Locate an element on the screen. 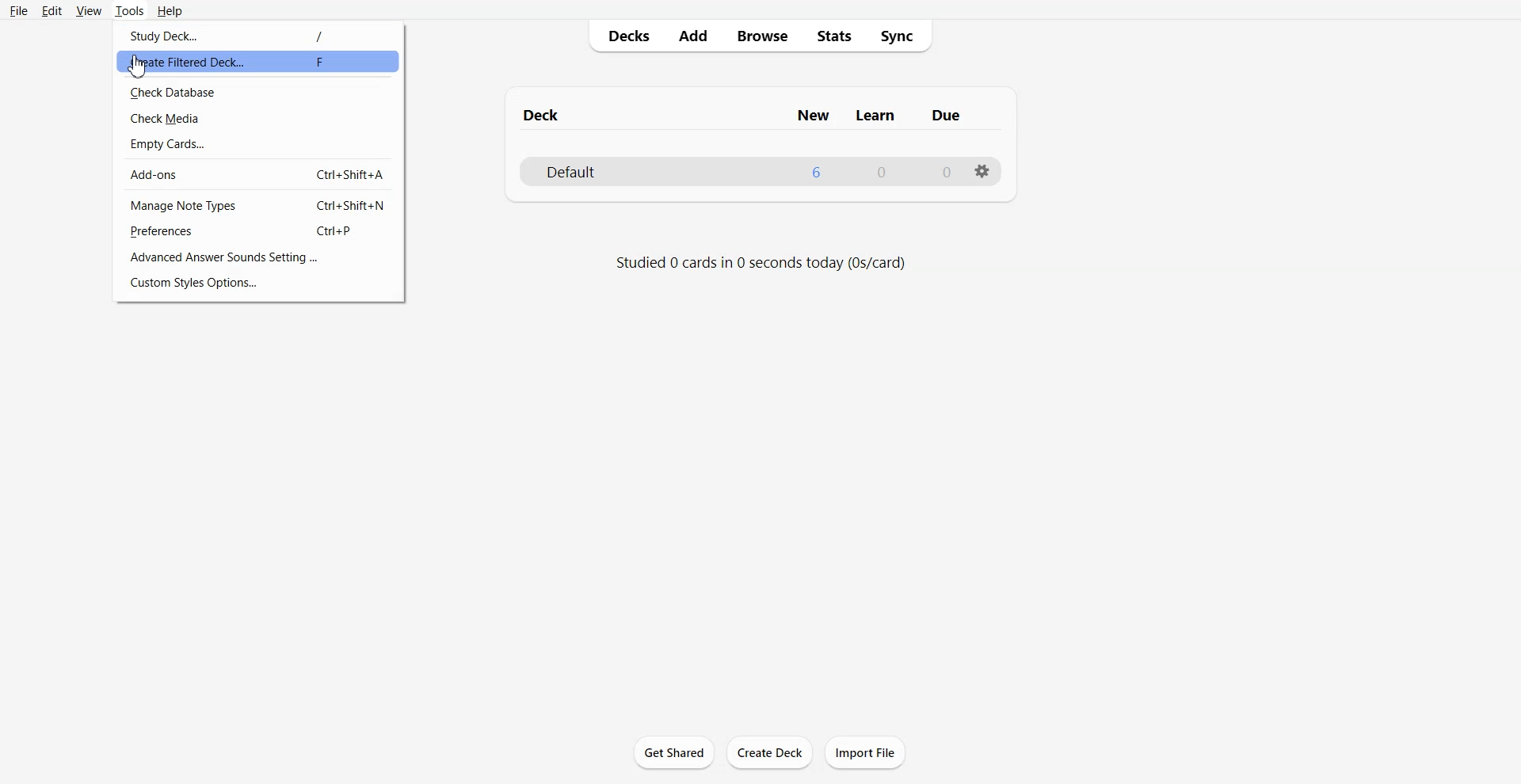 This screenshot has height=784, width=1521. Sync is located at coordinates (902, 36).